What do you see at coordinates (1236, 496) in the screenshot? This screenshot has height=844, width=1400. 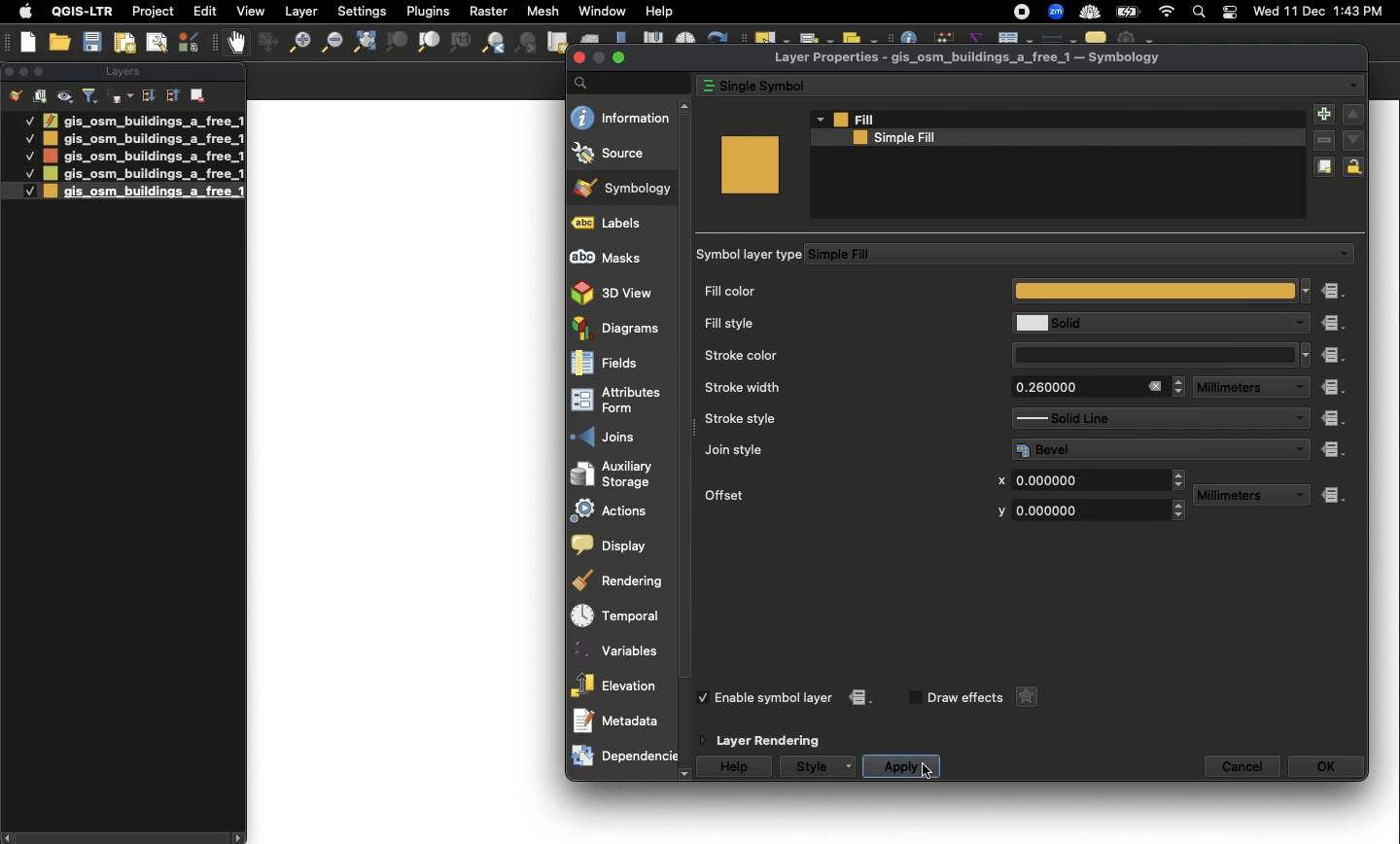 I see `Millimeters` at bounding box center [1236, 496].